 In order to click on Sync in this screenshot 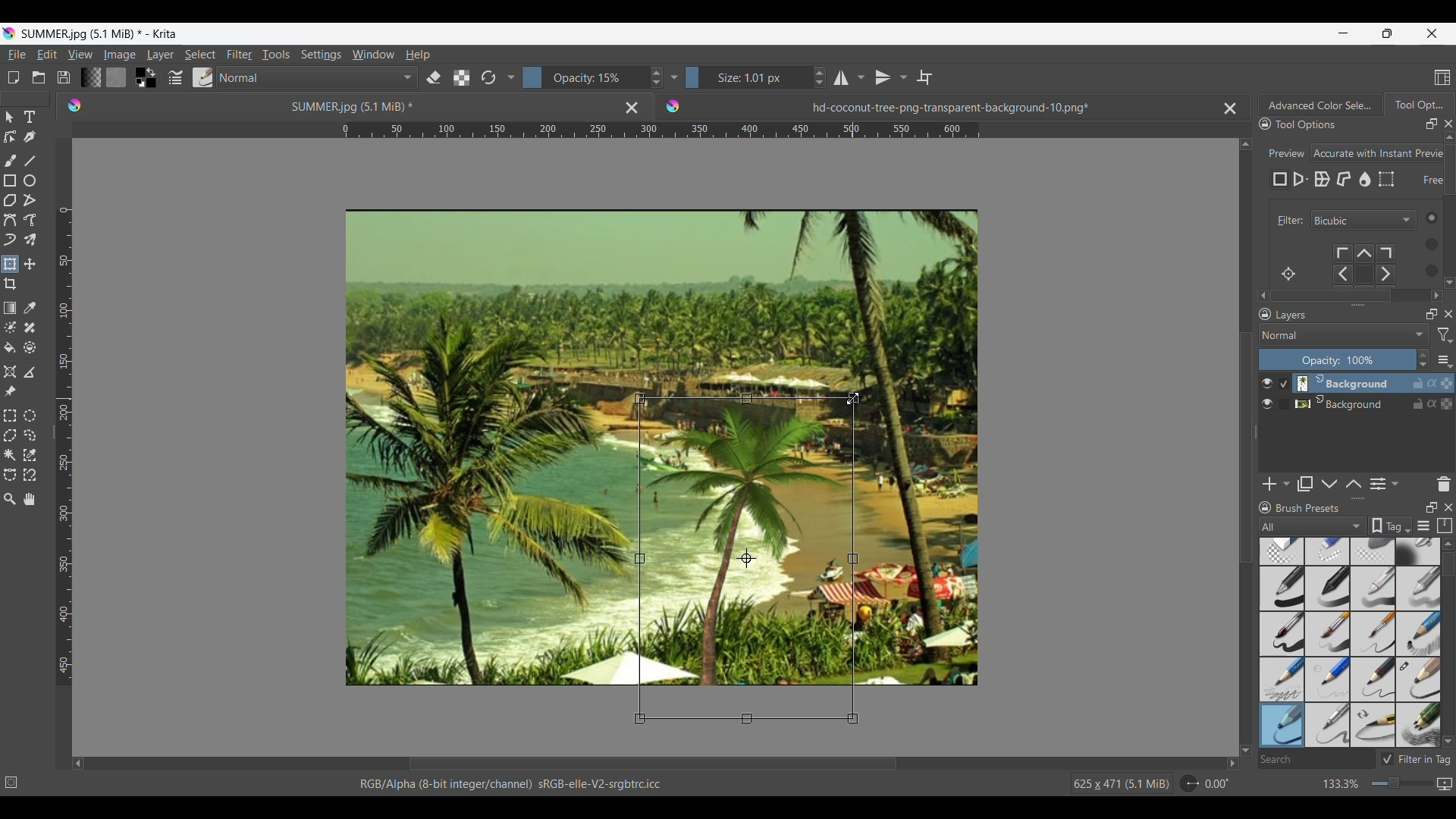, I will do `click(1434, 383)`.